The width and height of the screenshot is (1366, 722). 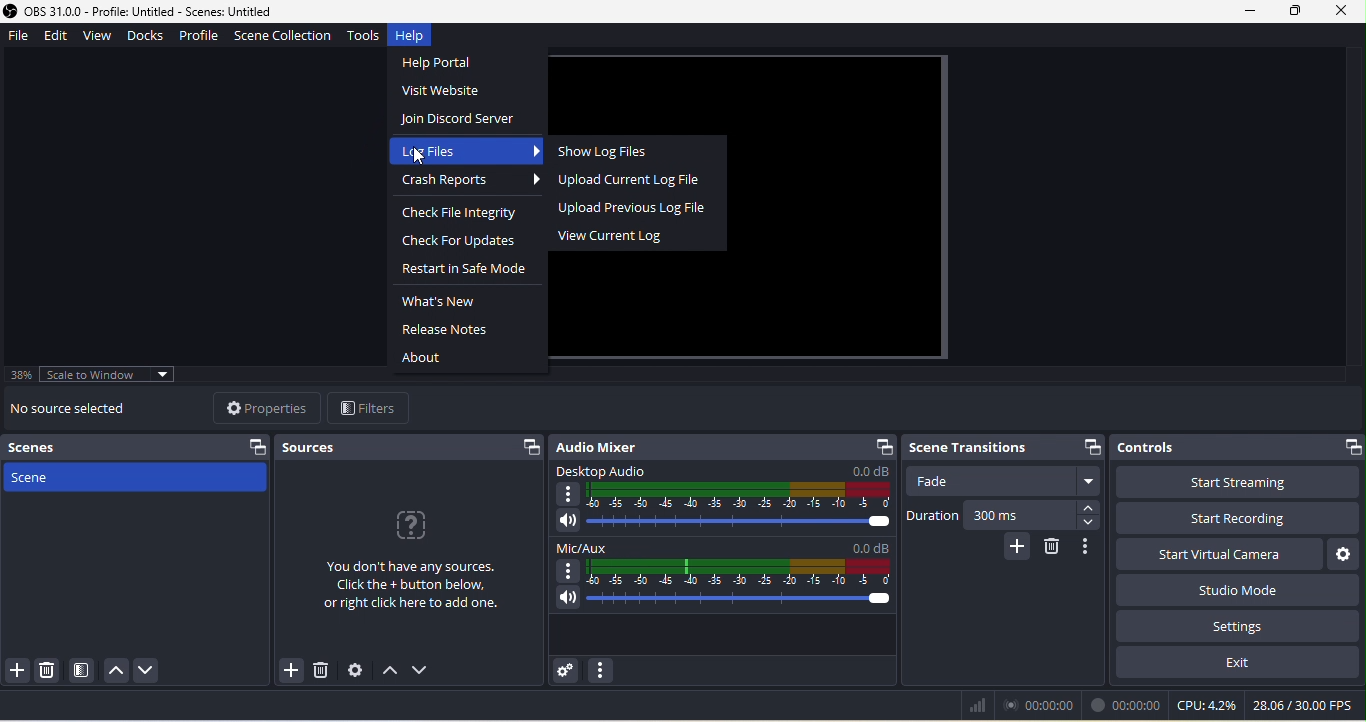 I want to click on file, so click(x=20, y=36).